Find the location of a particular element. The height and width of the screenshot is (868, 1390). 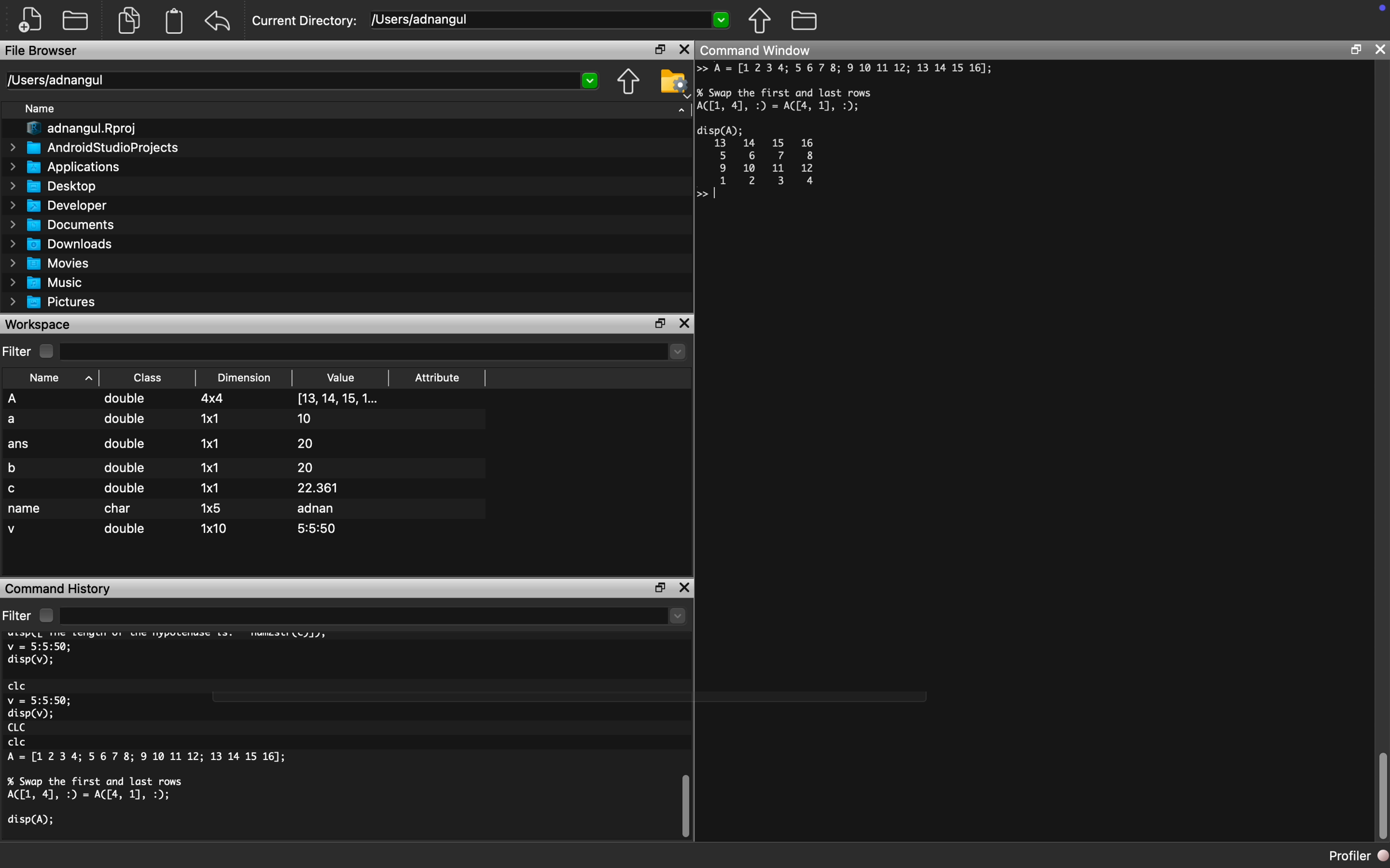

 one directory up is located at coordinates (625, 81).